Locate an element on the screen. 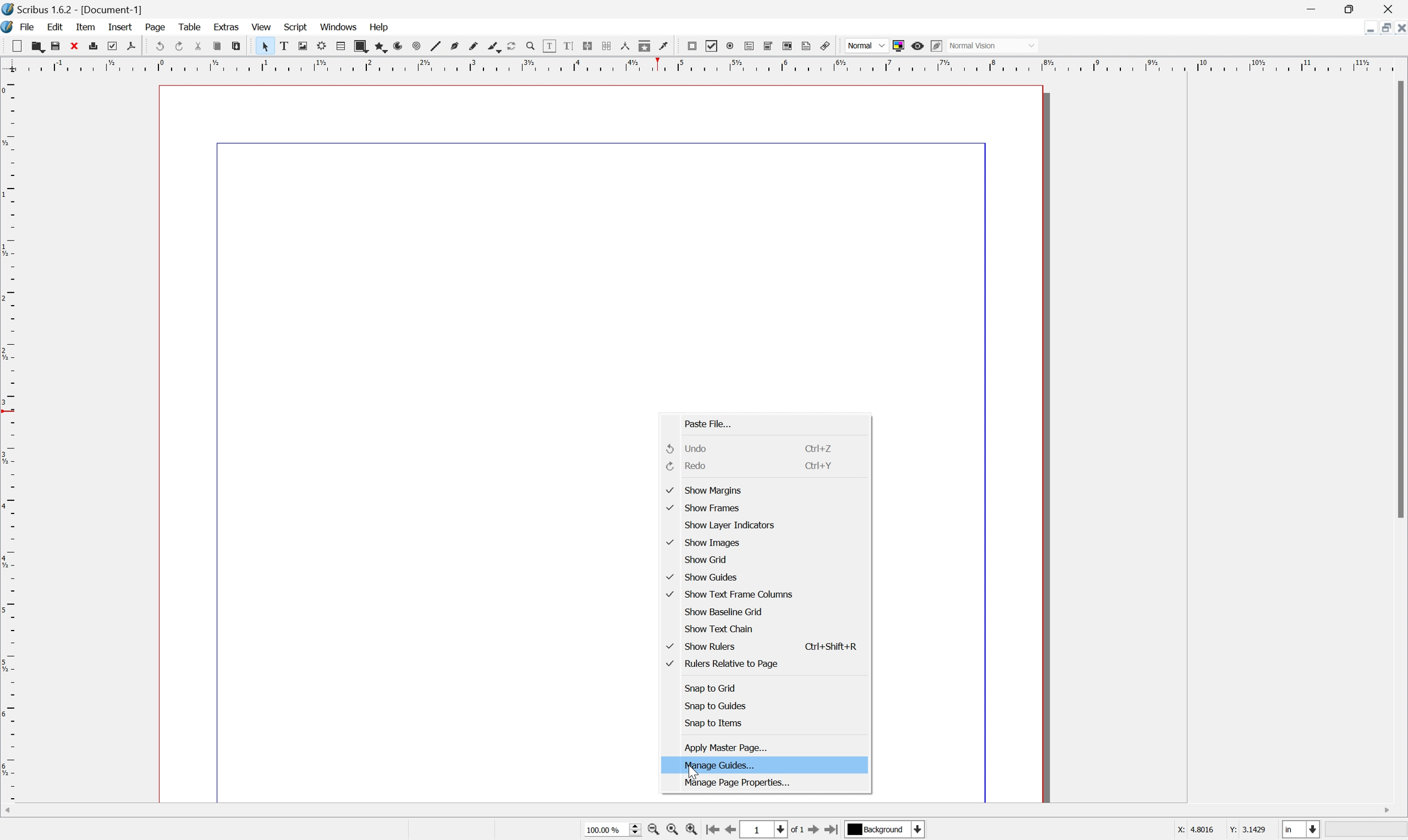  rulers relative to page is located at coordinates (722, 662).